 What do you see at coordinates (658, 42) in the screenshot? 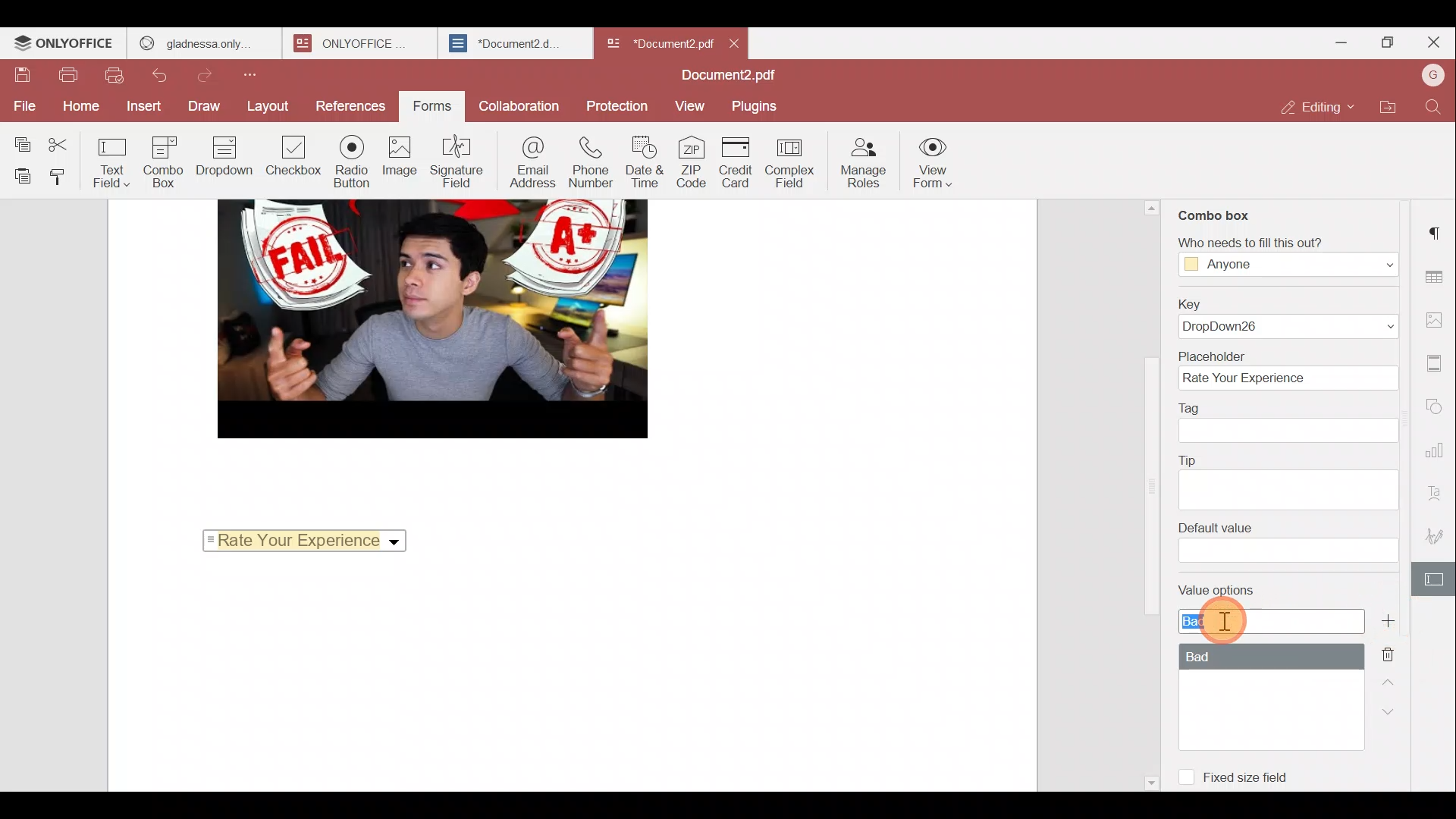
I see `*Document2 pdf` at bounding box center [658, 42].